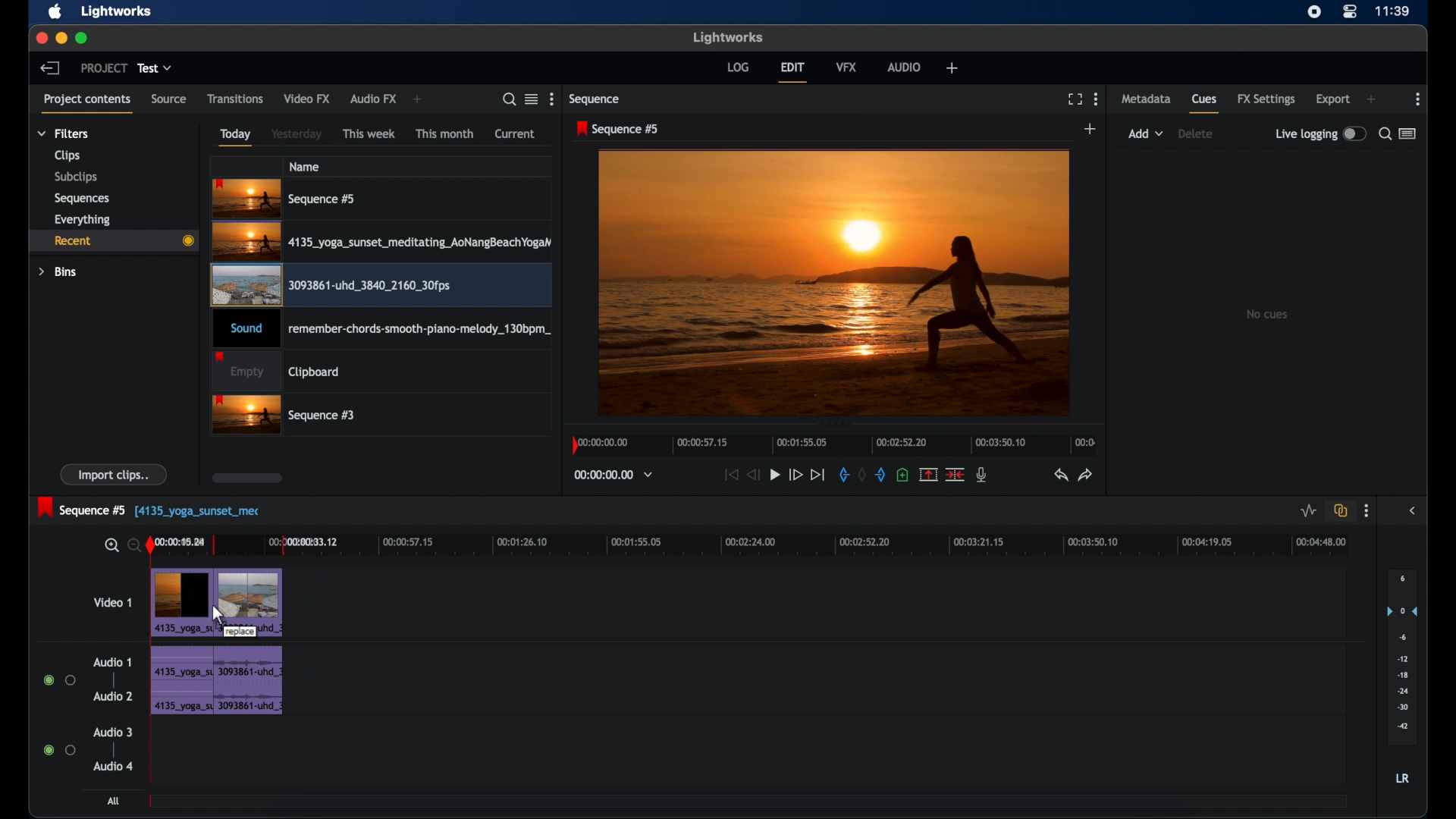  I want to click on sequence, so click(595, 101).